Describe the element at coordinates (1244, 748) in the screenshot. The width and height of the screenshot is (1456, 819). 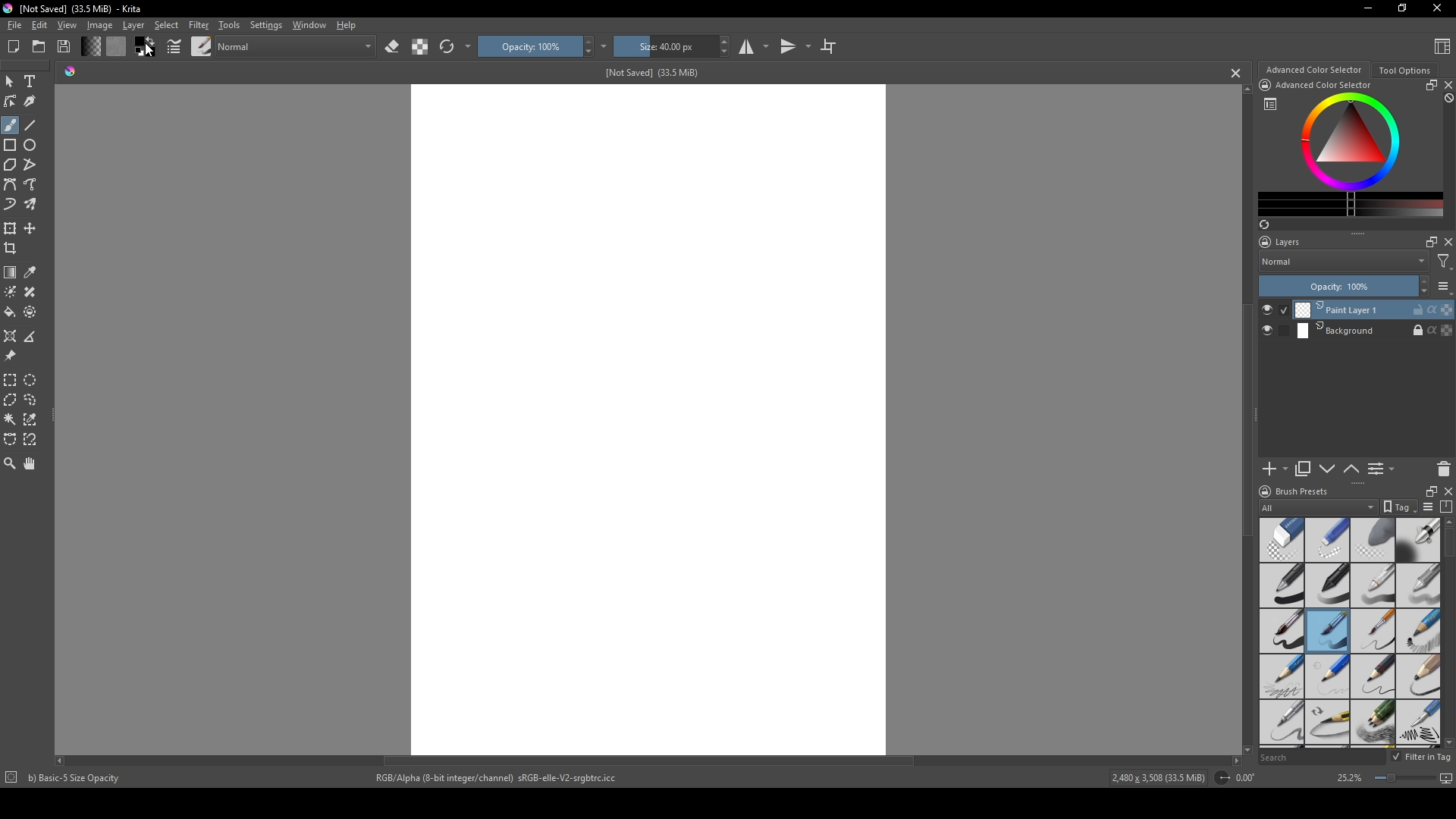
I see `scroll down` at that location.